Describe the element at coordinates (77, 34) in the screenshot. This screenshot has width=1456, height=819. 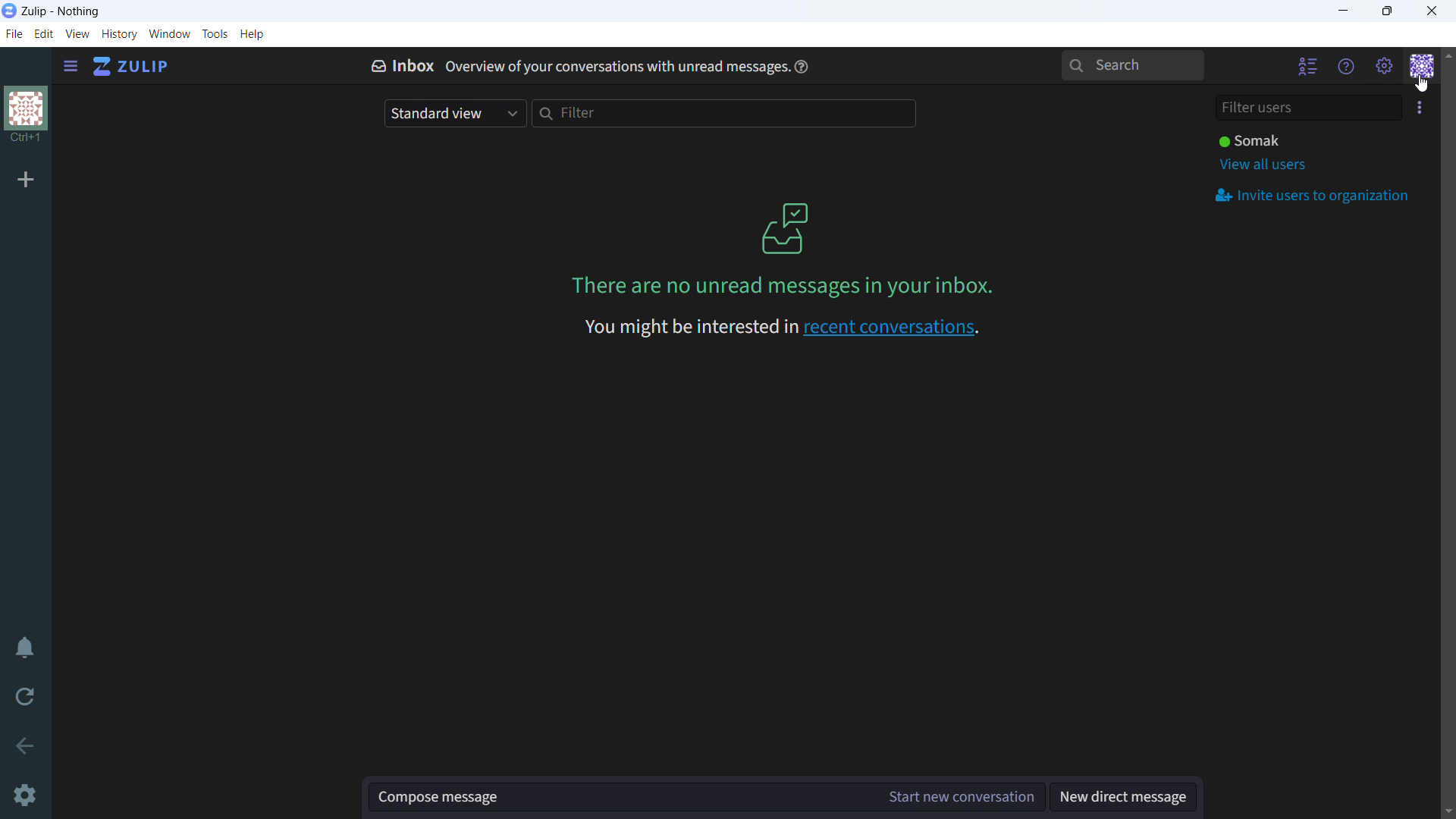
I see `view` at that location.